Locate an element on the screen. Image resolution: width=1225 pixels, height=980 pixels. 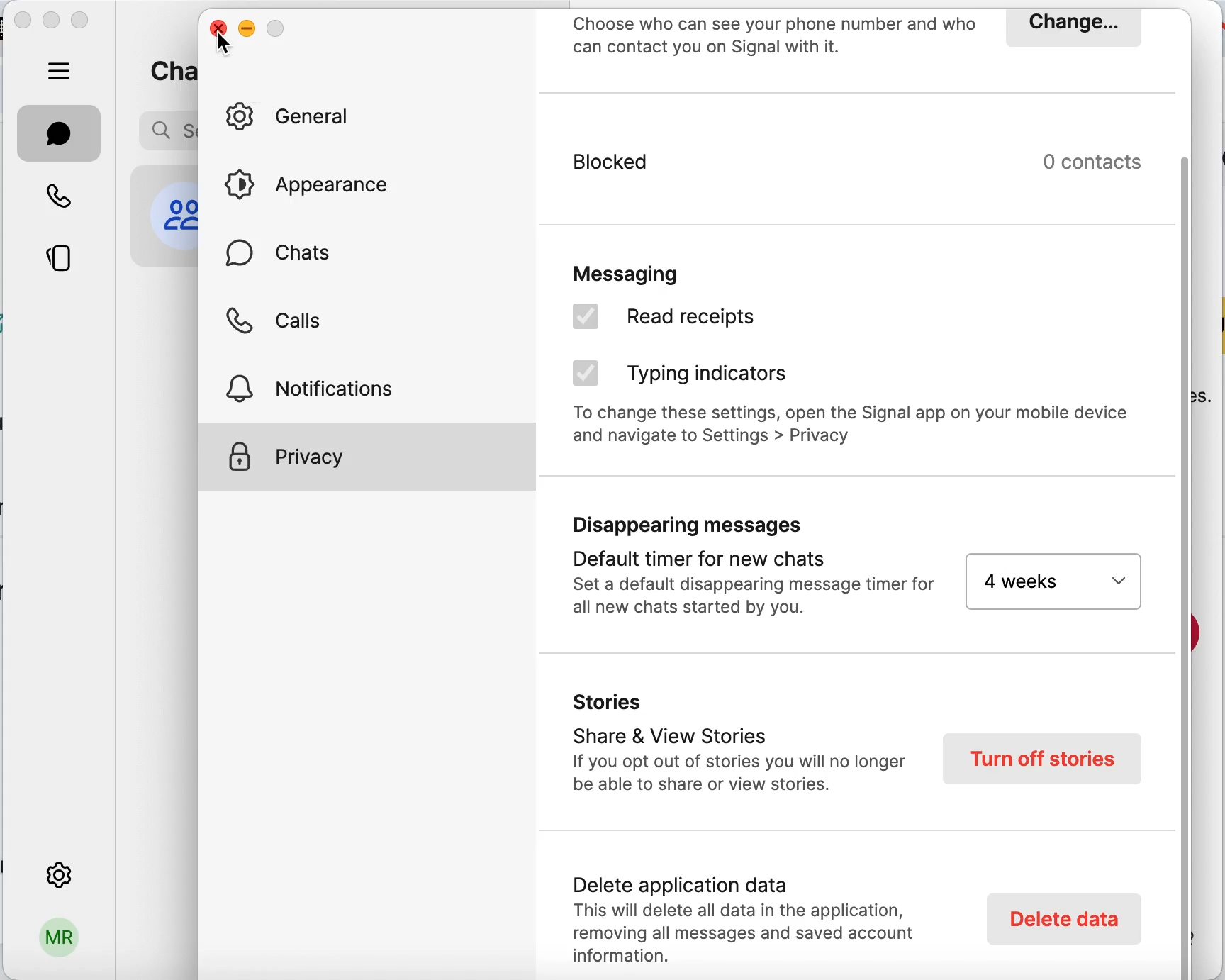
maximize is located at coordinates (276, 25).